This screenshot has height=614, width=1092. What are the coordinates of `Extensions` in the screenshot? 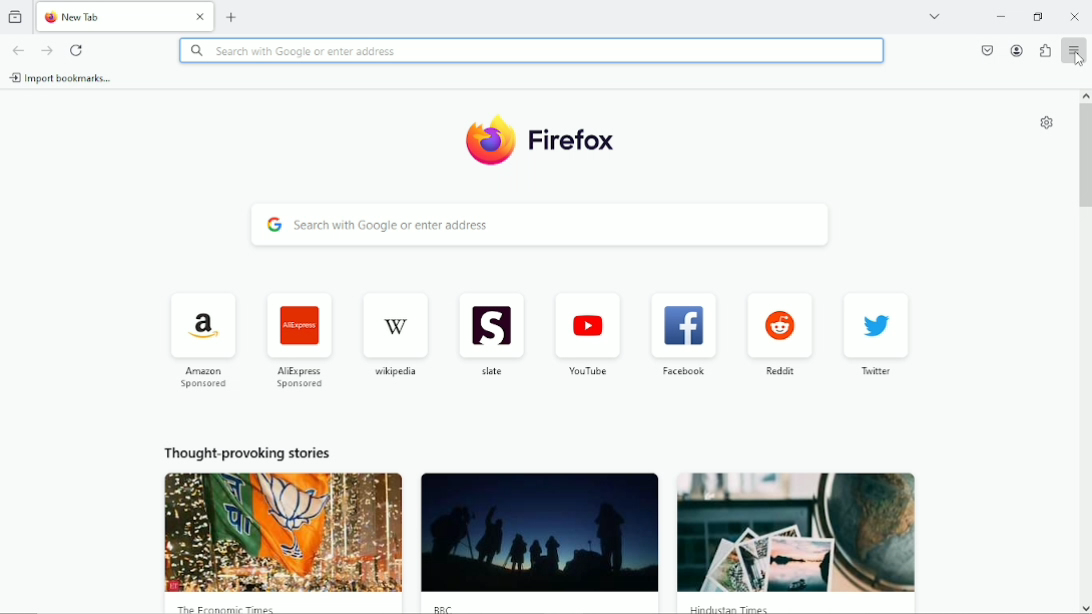 It's located at (1044, 50).